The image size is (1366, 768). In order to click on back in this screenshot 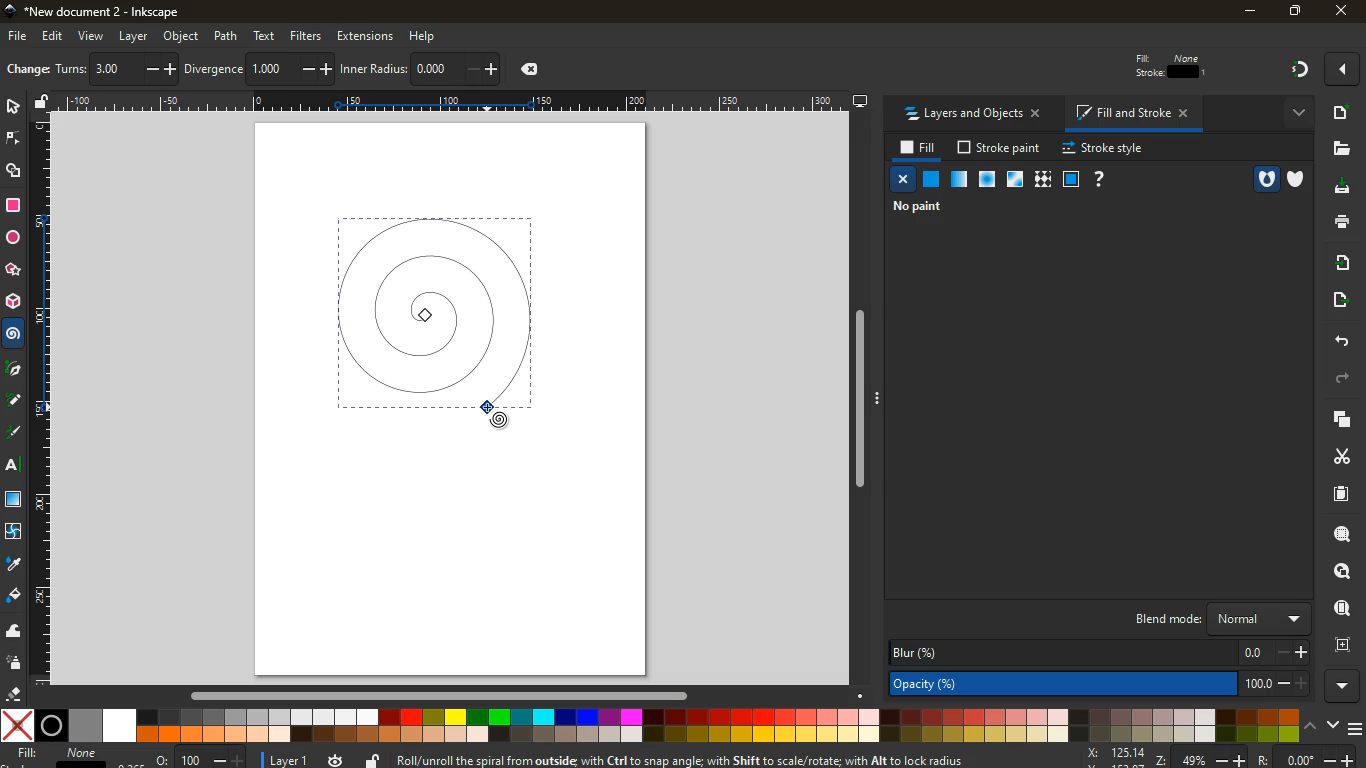, I will do `click(1339, 341)`.